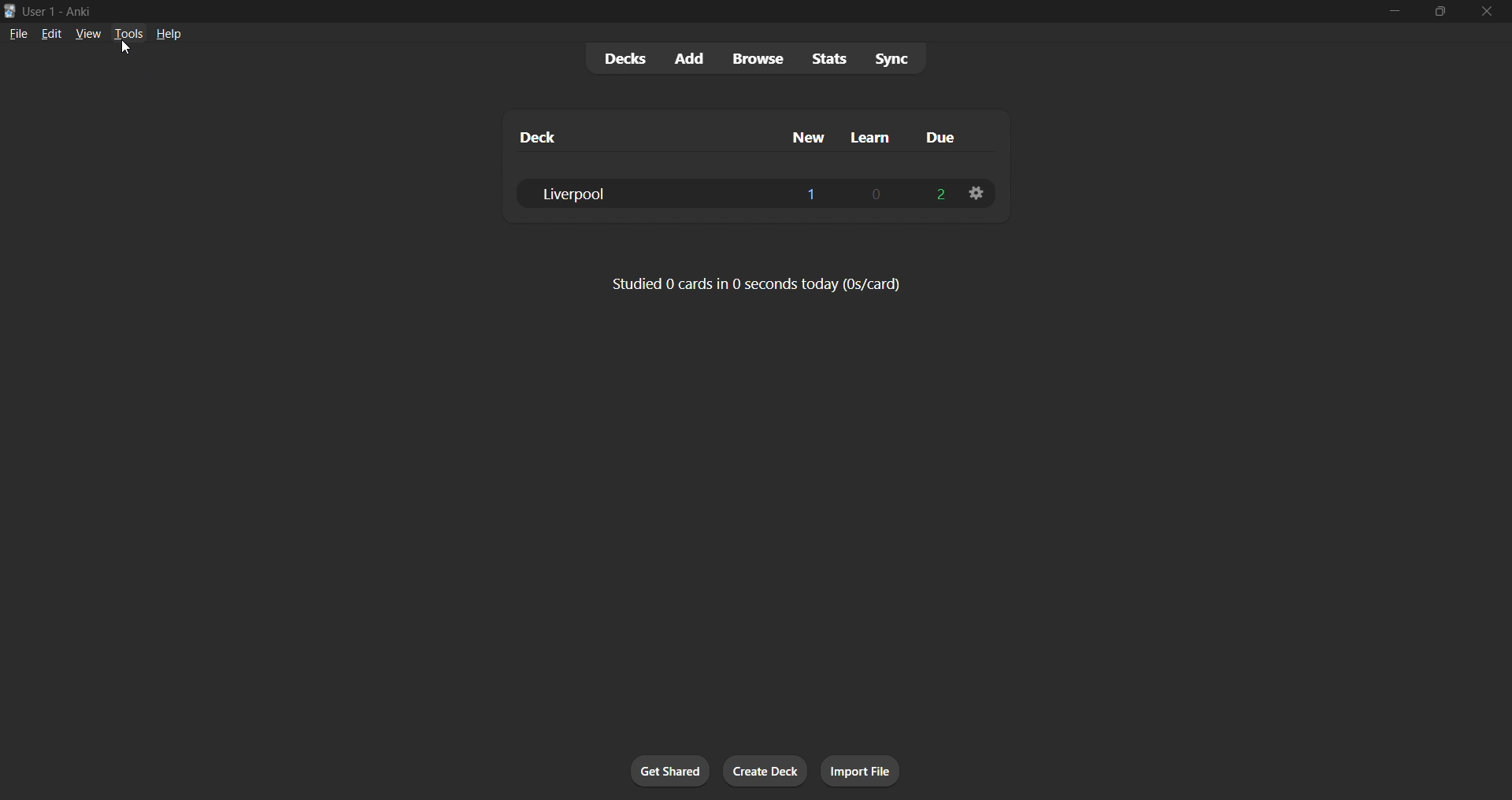 This screenshot has height=800, width=1512. What do you see at coordinates (9, 11) in the screenshot?
I see `Anki` at bounding box center [9, 11].